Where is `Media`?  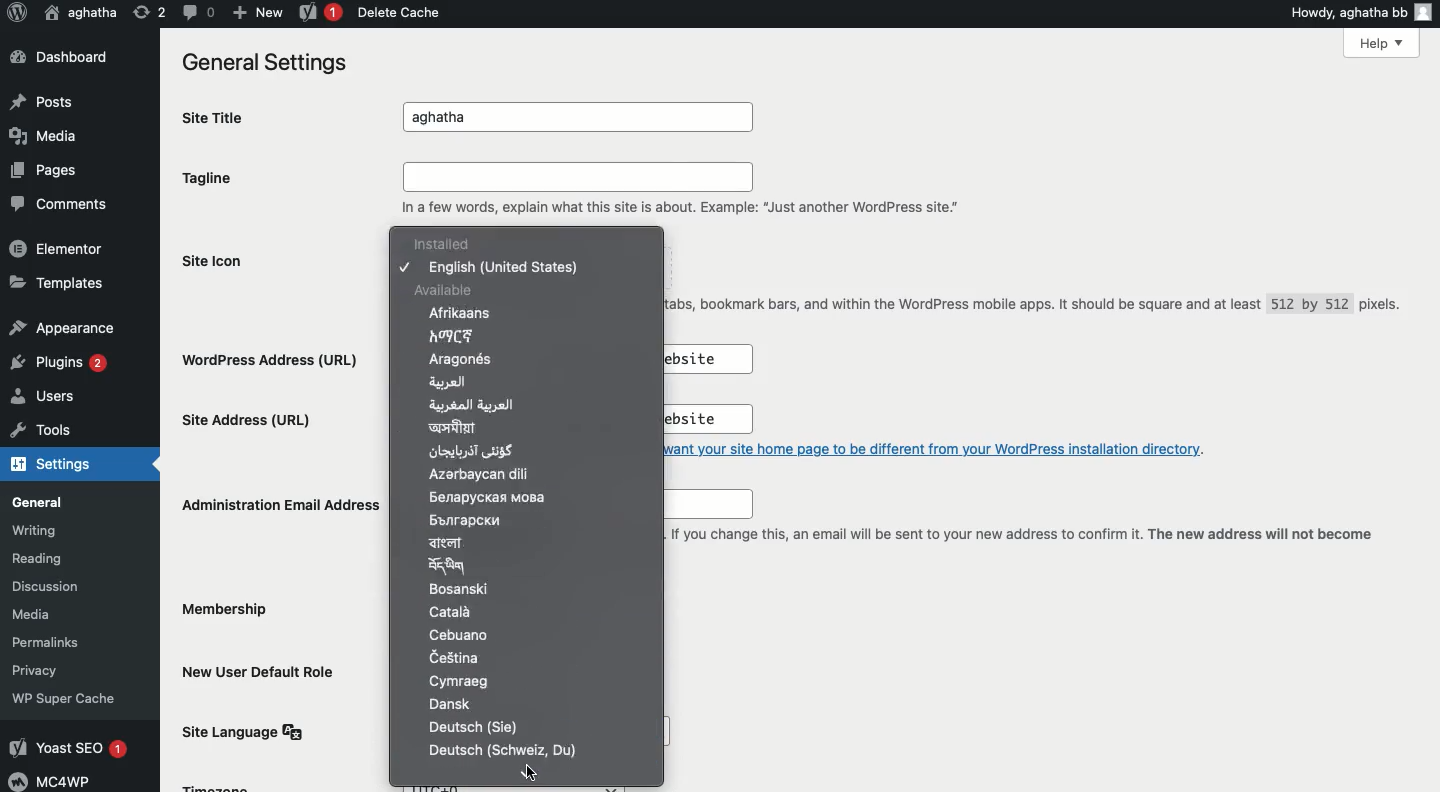 Media is located at coordinates (45, 137).